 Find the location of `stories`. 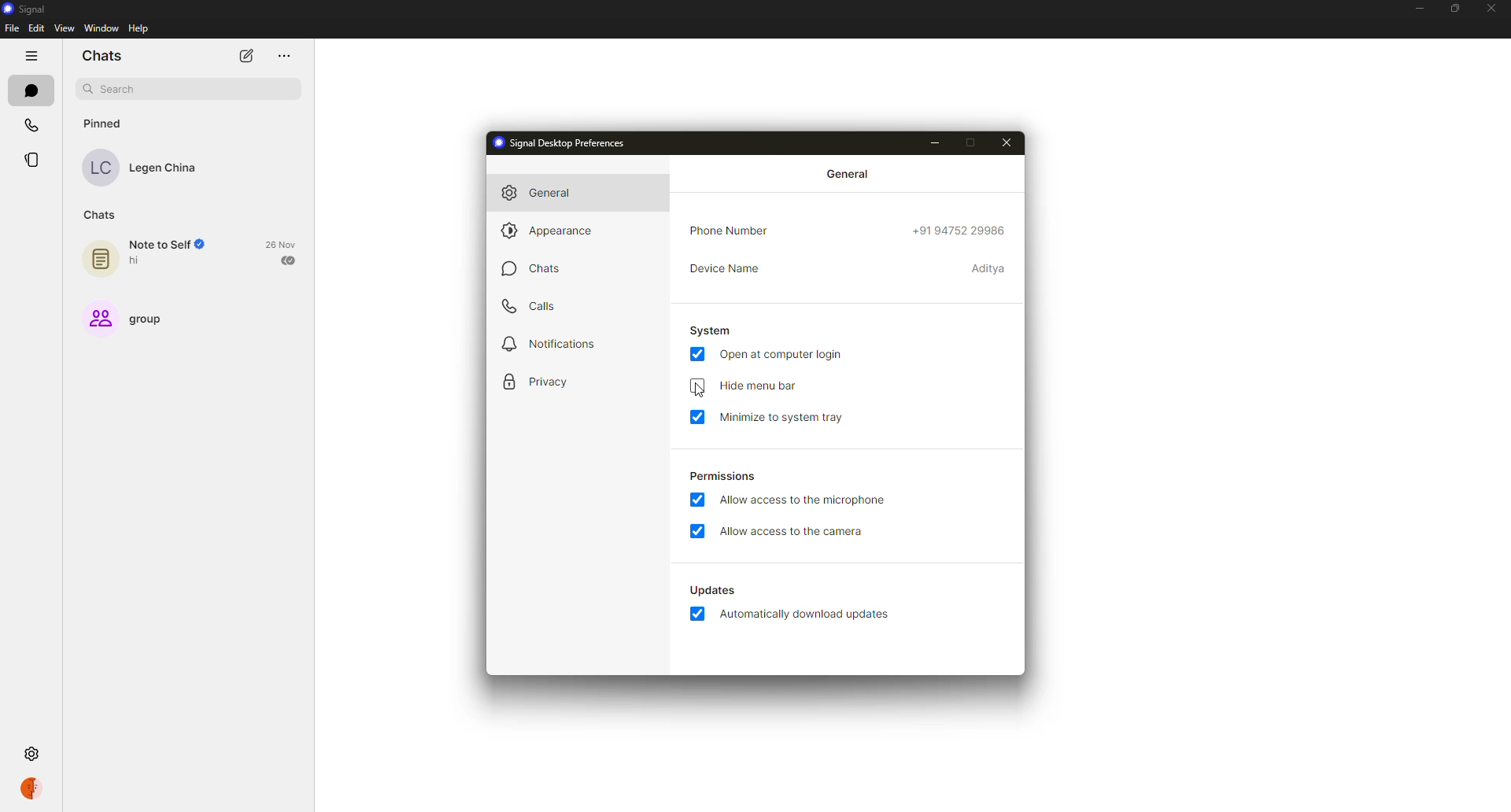

stories is located at coordinates (31, 161).